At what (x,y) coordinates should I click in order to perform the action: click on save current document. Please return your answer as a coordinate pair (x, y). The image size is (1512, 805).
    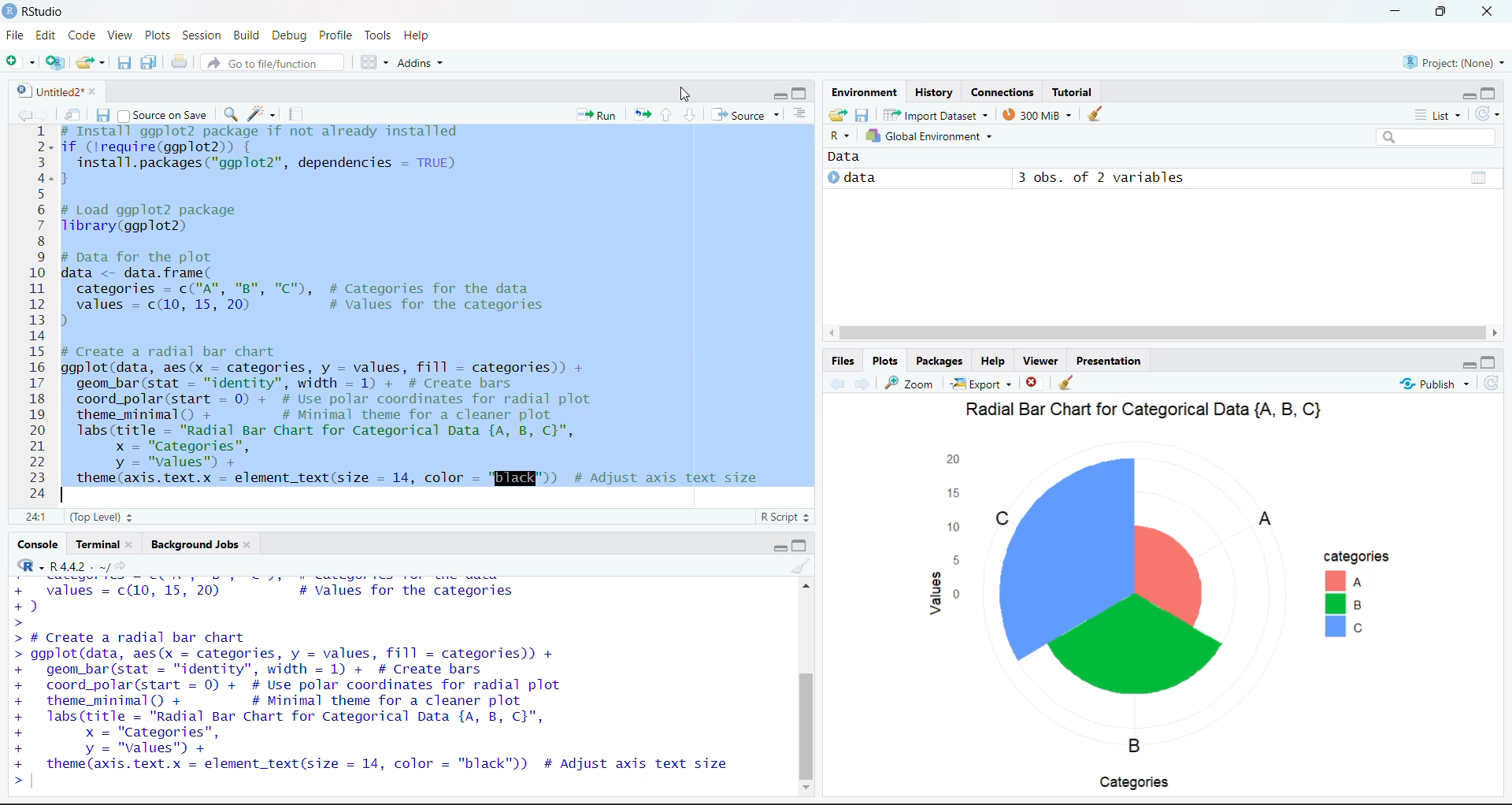
    Looking at the image, I should click on (102, 114).